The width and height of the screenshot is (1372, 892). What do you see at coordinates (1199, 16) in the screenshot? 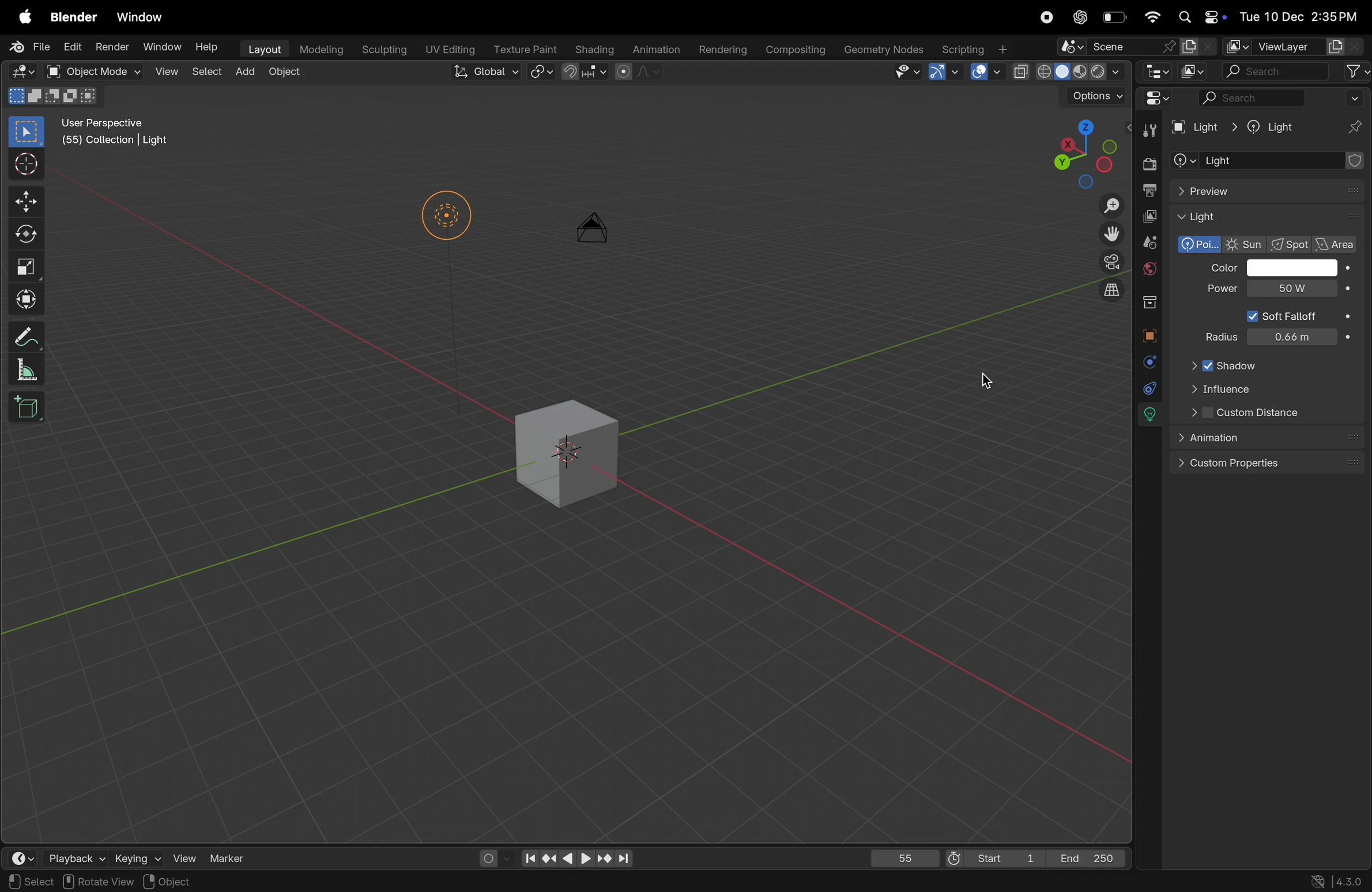
I see `apple widgets` at bounding box center [1199, 16].